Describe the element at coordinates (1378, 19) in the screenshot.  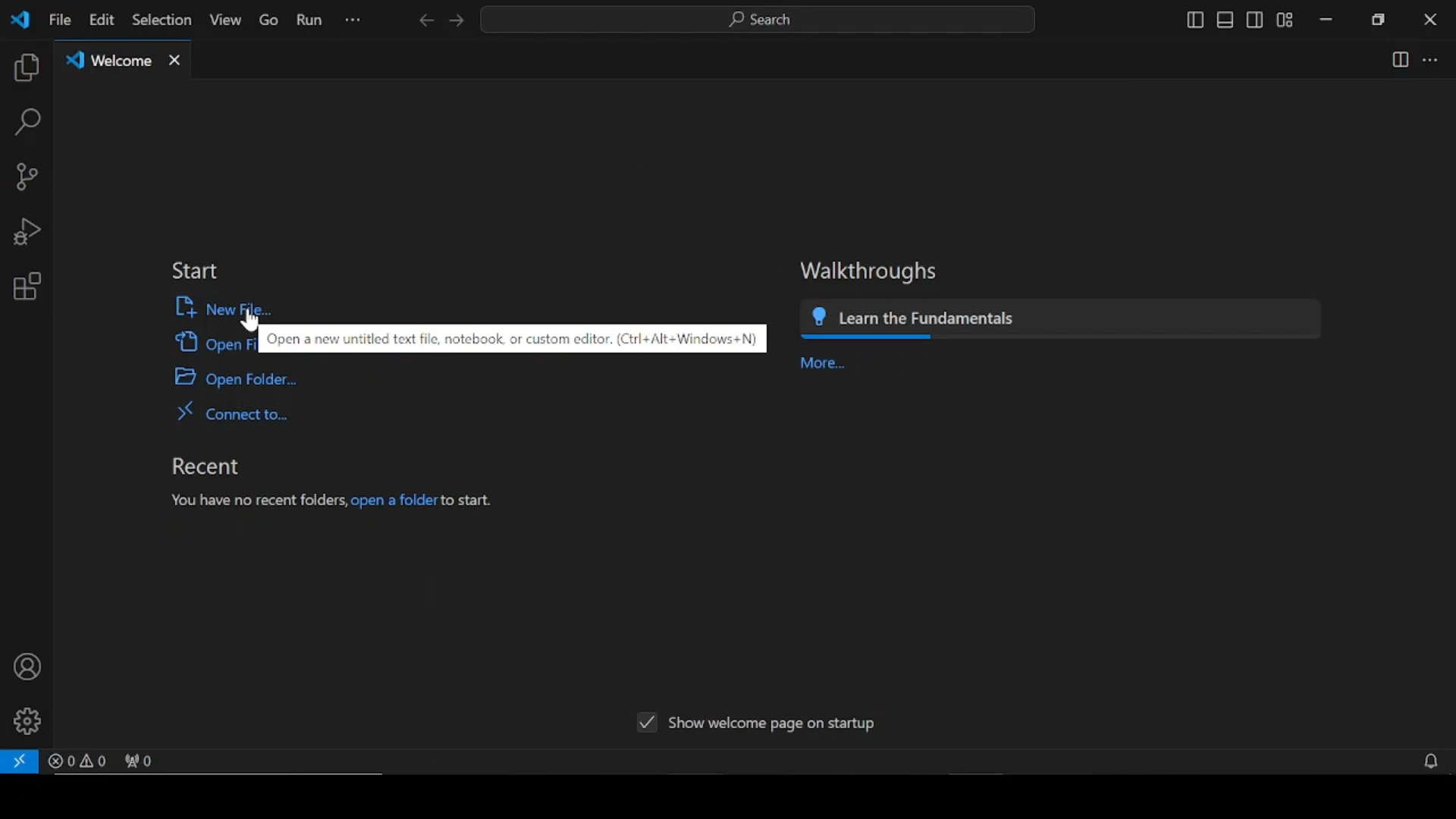
I see `restore down` at that location.